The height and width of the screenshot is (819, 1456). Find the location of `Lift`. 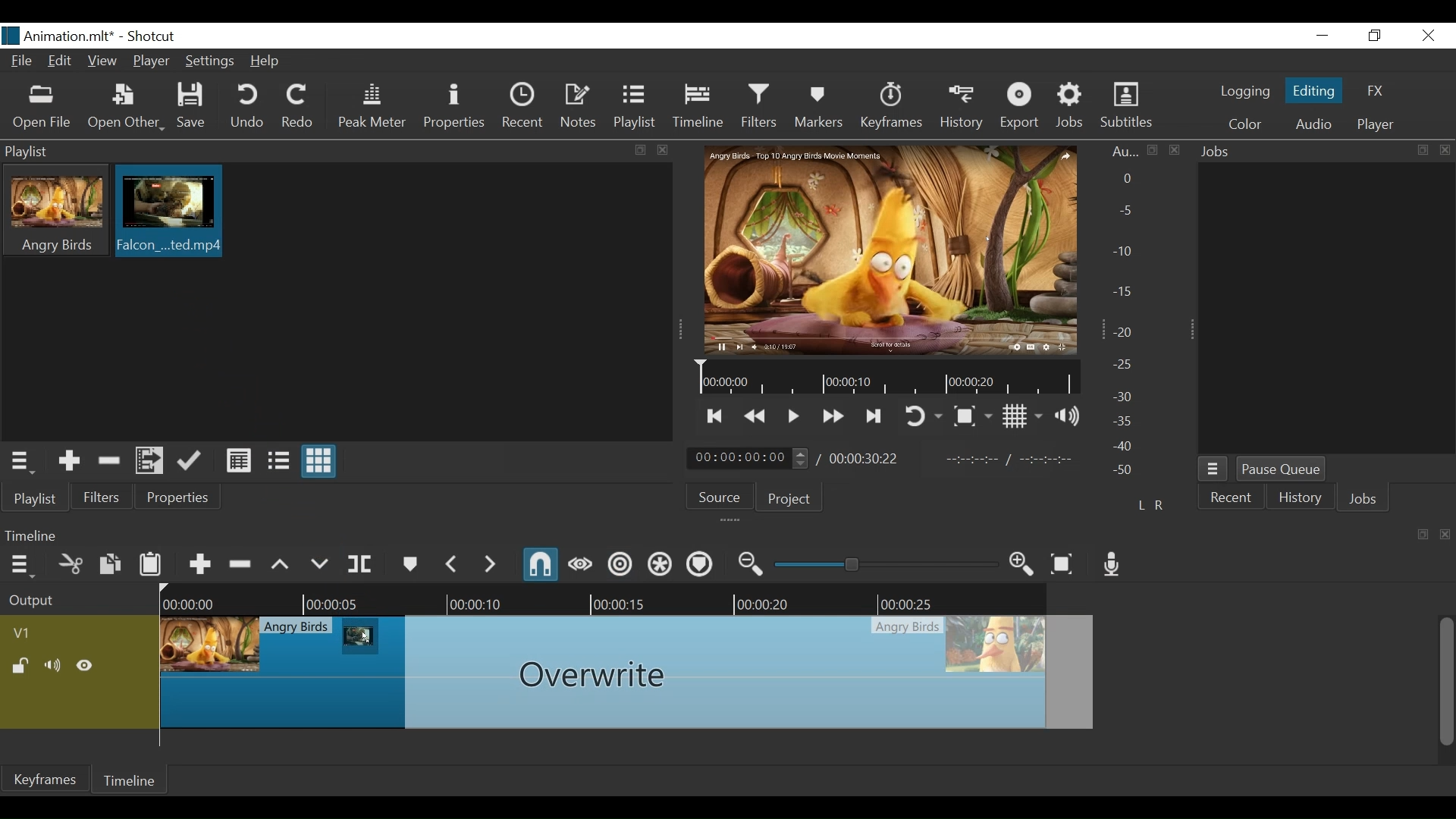

Lift is located at coordinates (281, 563).